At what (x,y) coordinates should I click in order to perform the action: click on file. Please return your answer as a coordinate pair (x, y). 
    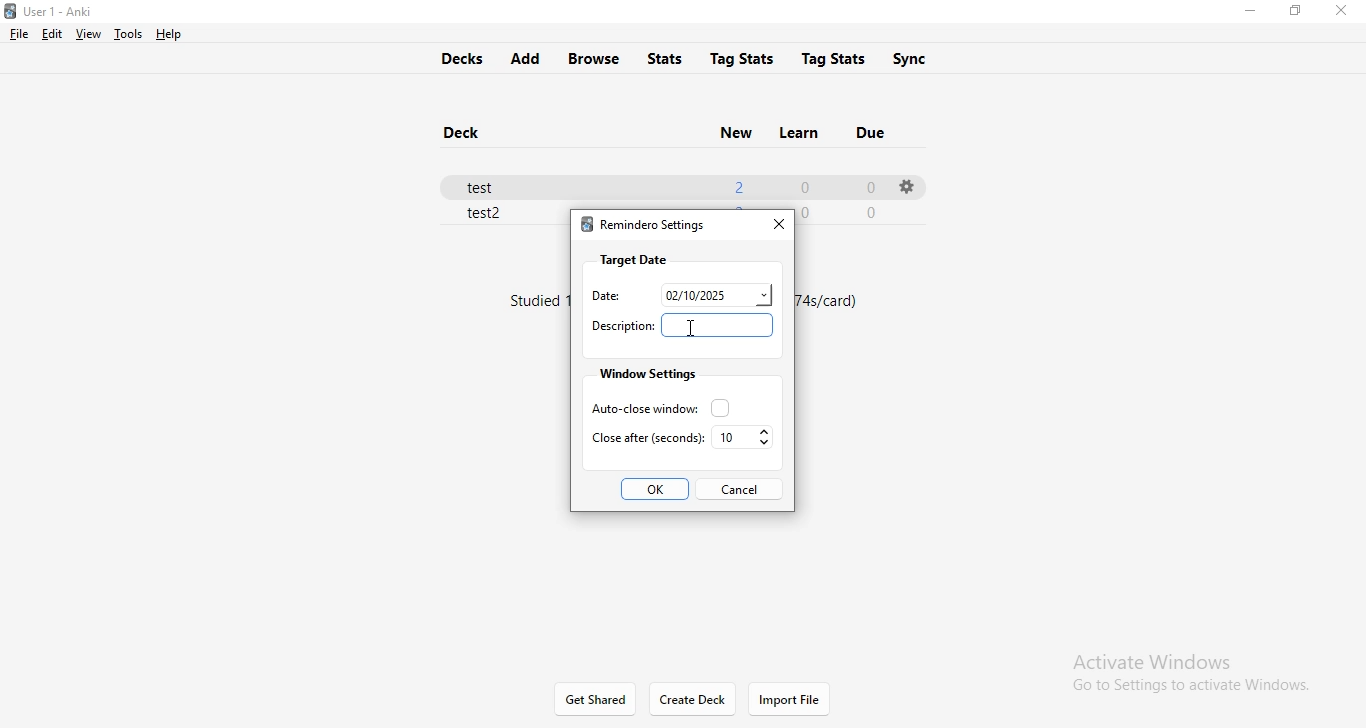
    Looking at the image, I should click on (19, 34).